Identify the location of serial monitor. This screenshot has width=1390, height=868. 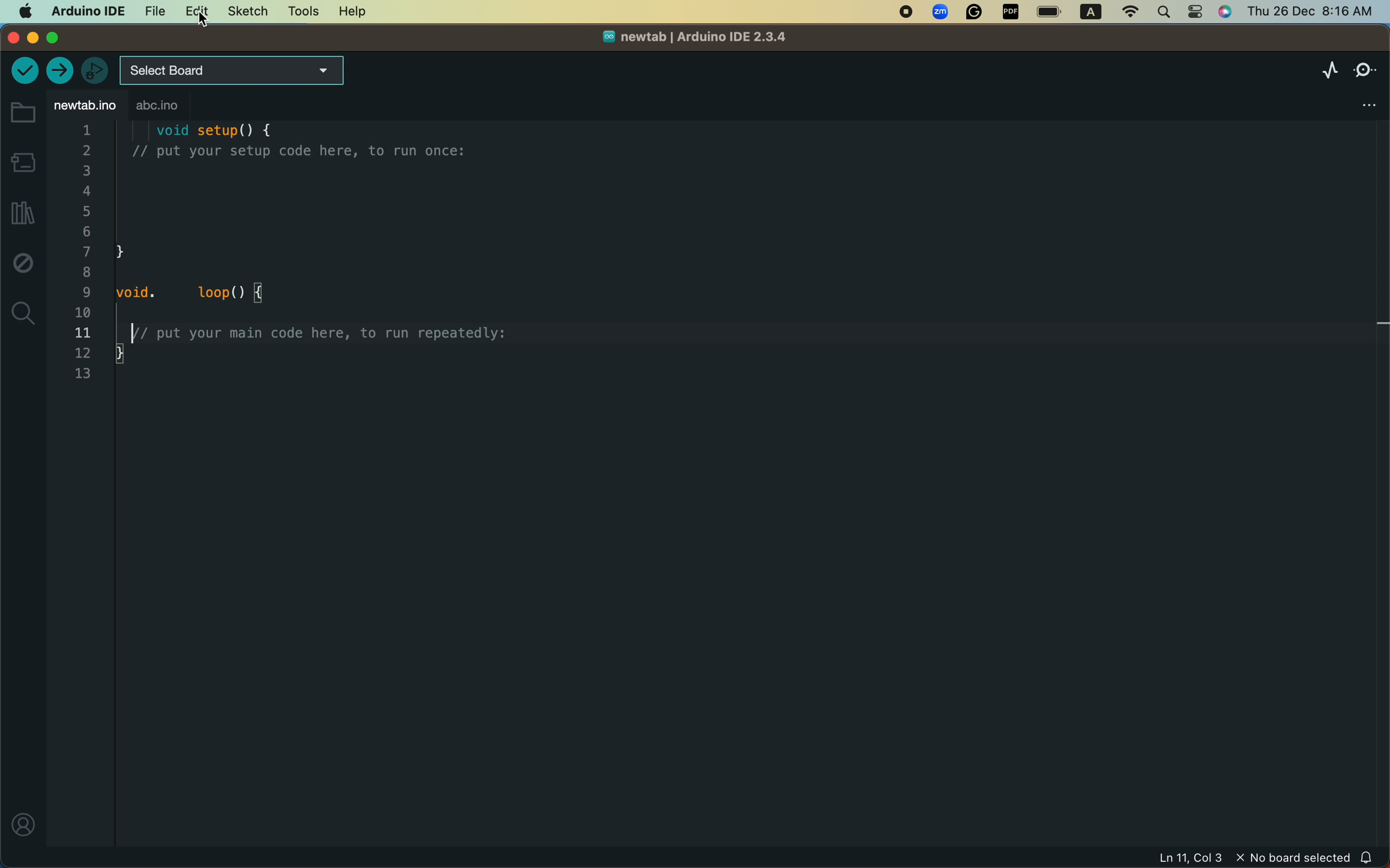
(1365, 67).